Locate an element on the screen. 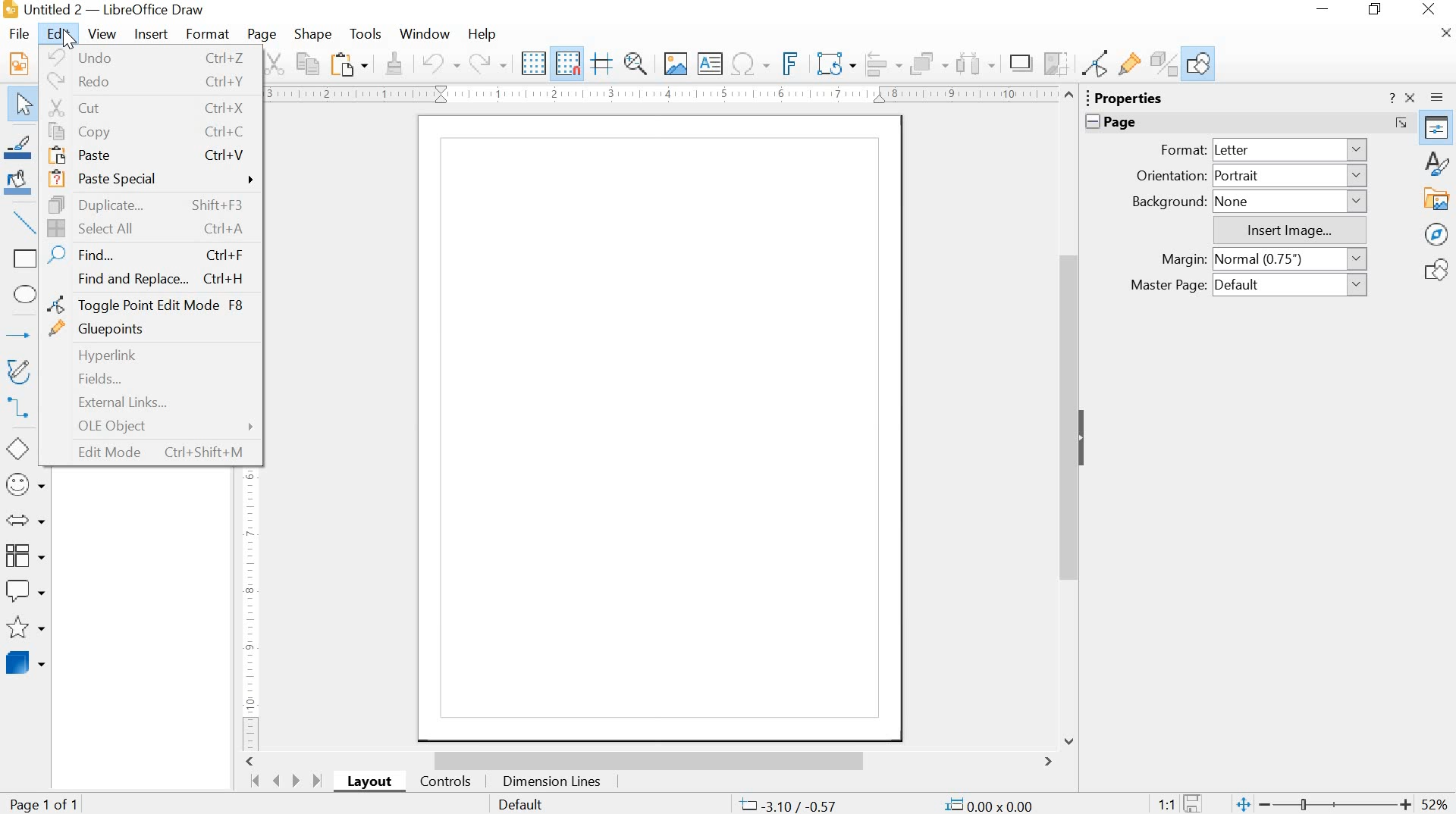 The height and width of the screenshot is (814, 1456). Insert line (double click for multi-selection) is located at coordinates (26, 224).